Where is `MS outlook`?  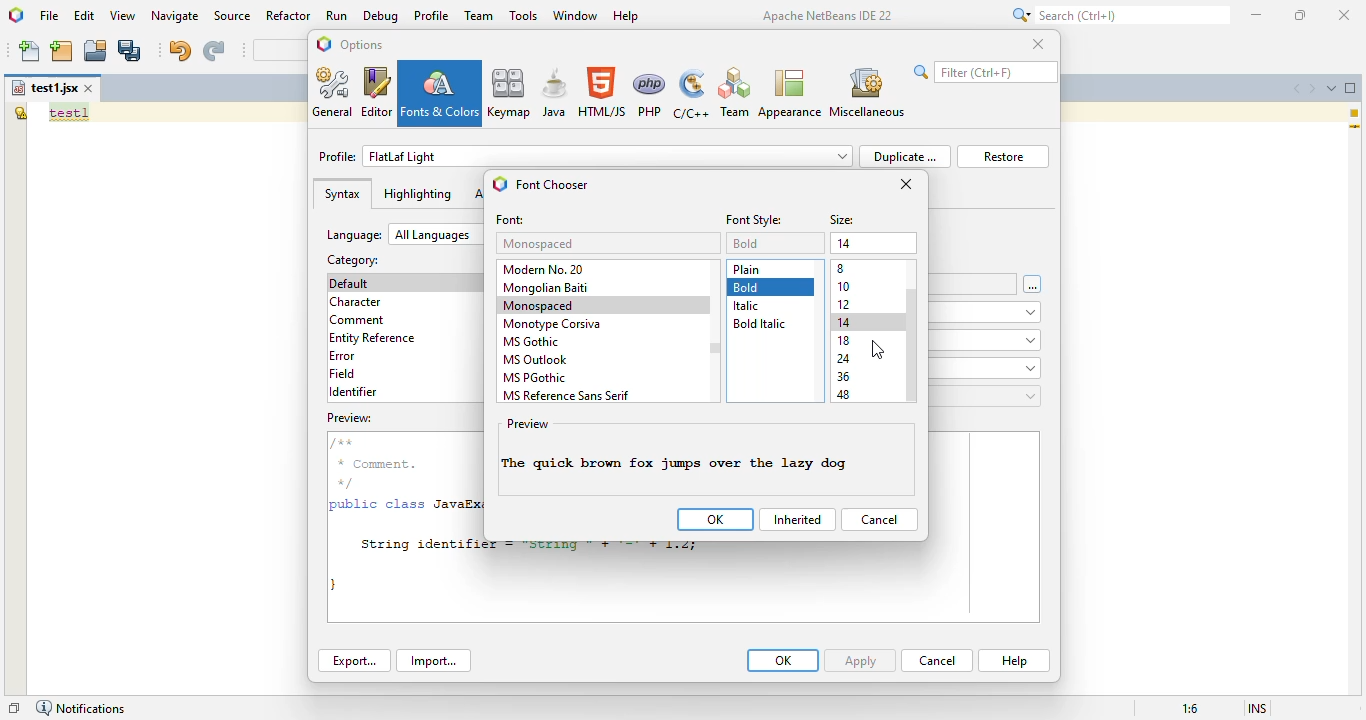
MS outlook is located at coordinates (536, 360).